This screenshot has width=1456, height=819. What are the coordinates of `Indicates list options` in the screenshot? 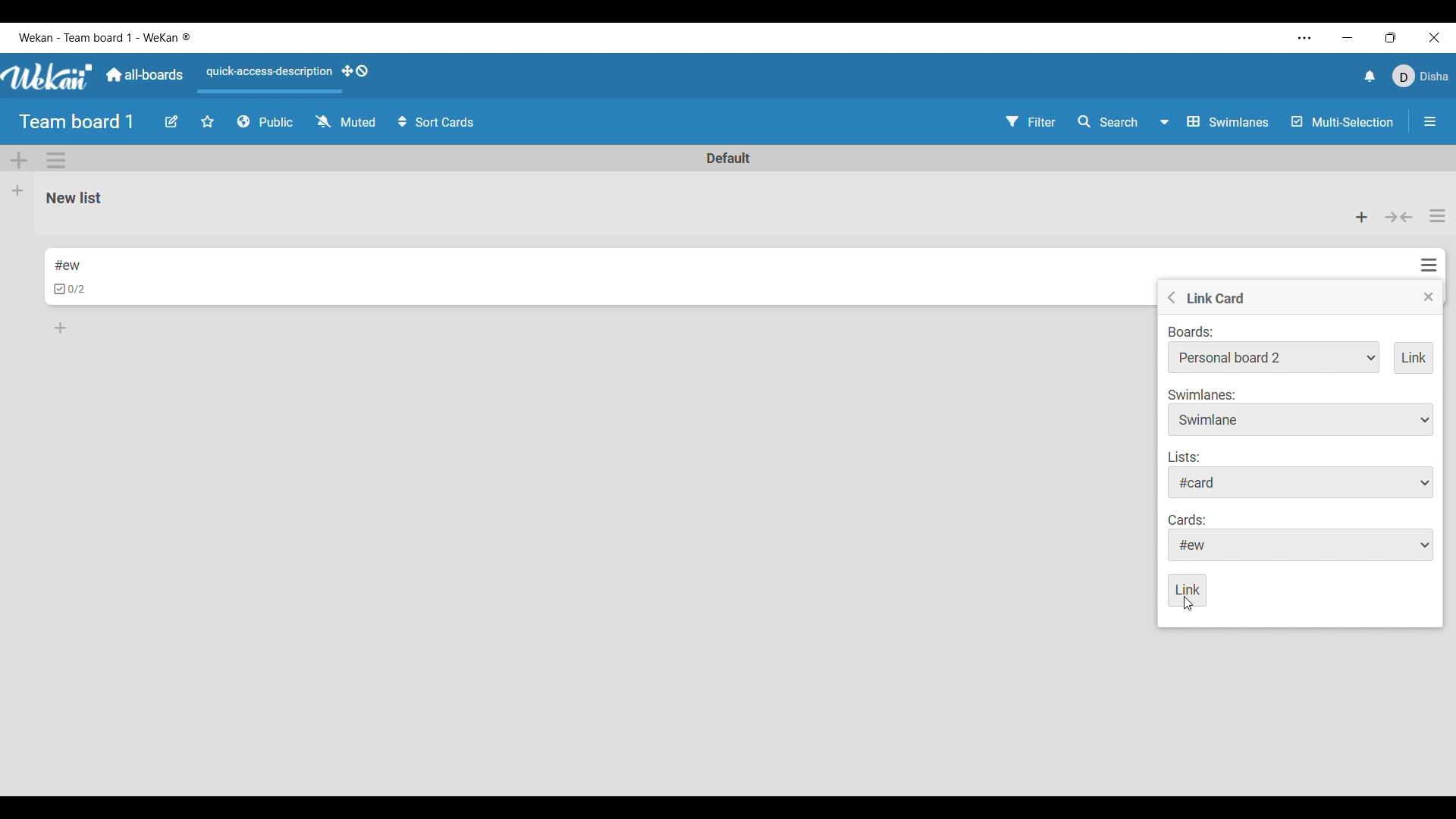 It's located at (1185, 457).